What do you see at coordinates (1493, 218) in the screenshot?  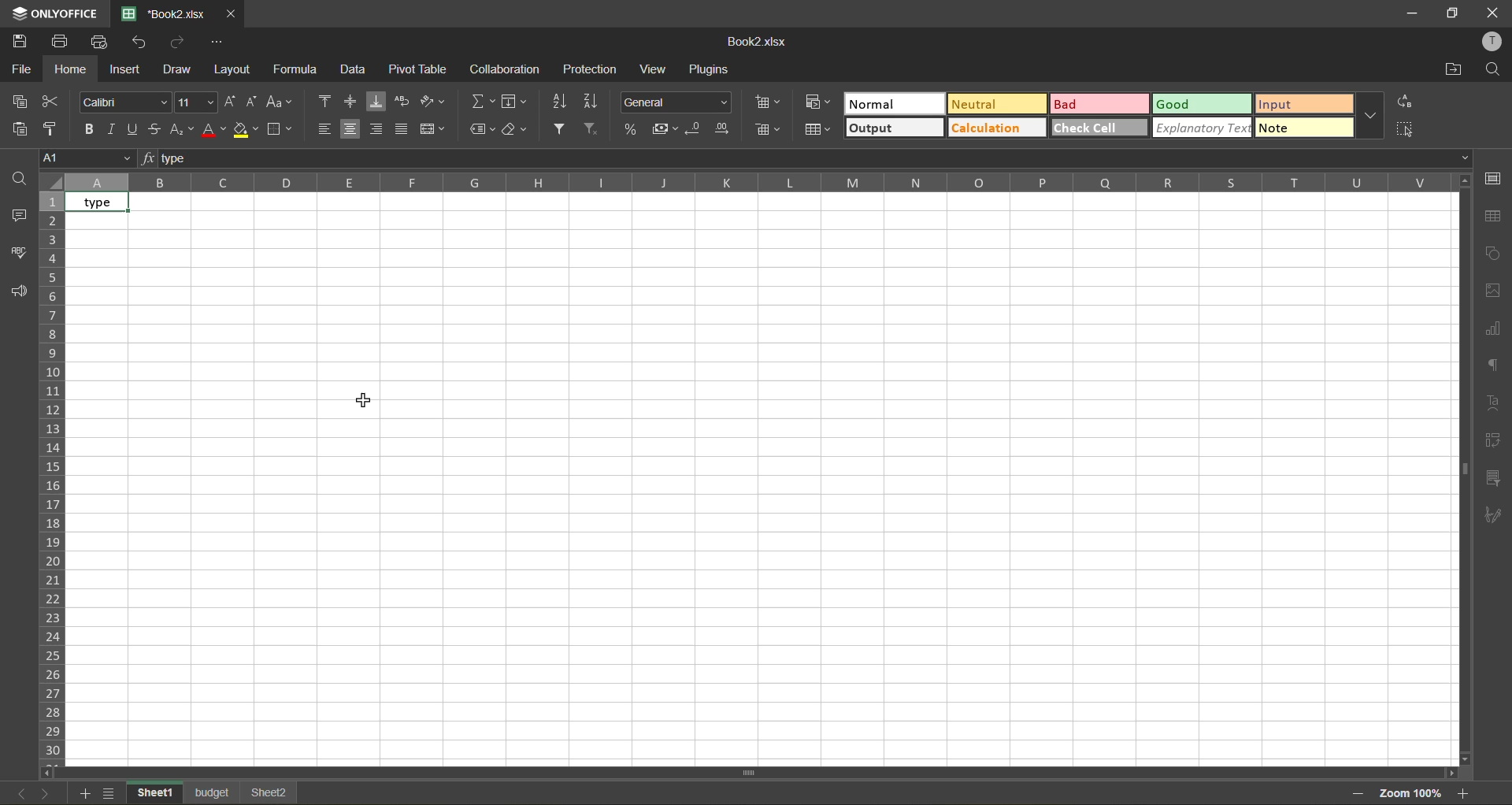 I see `table` at bounding box center [1493, 218].